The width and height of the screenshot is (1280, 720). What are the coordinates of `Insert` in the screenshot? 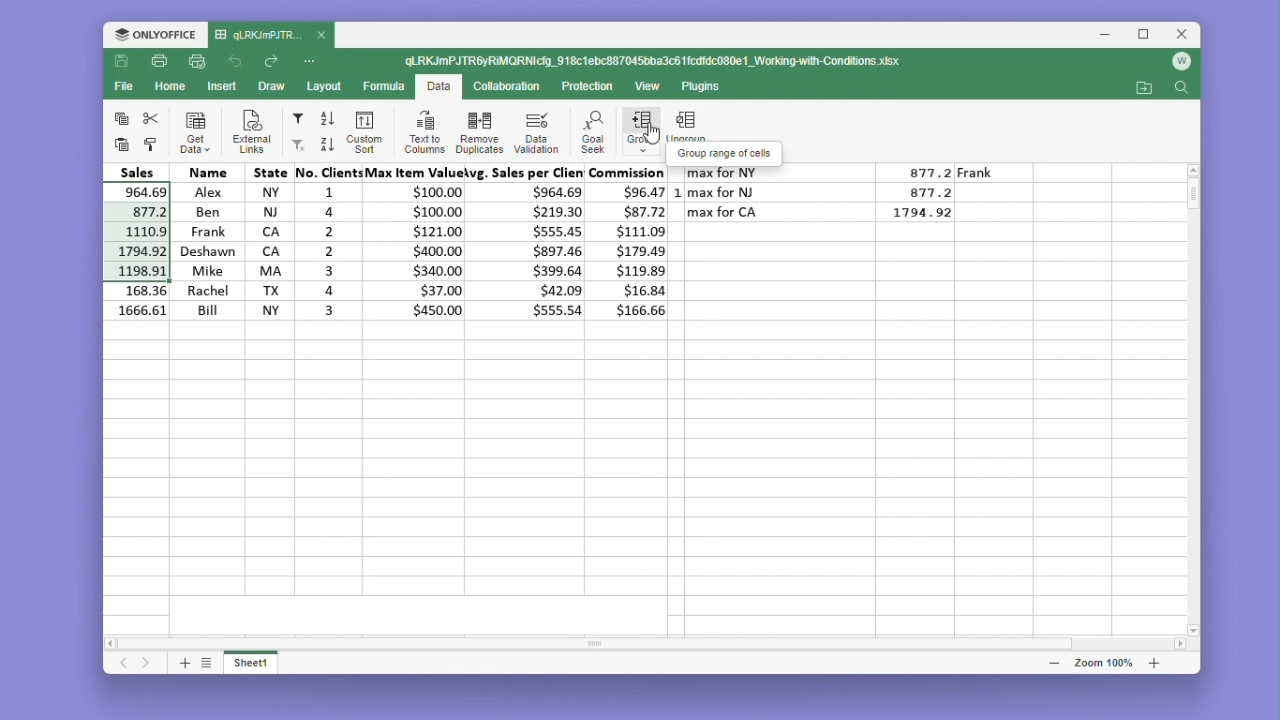 It's located at (222, 85).